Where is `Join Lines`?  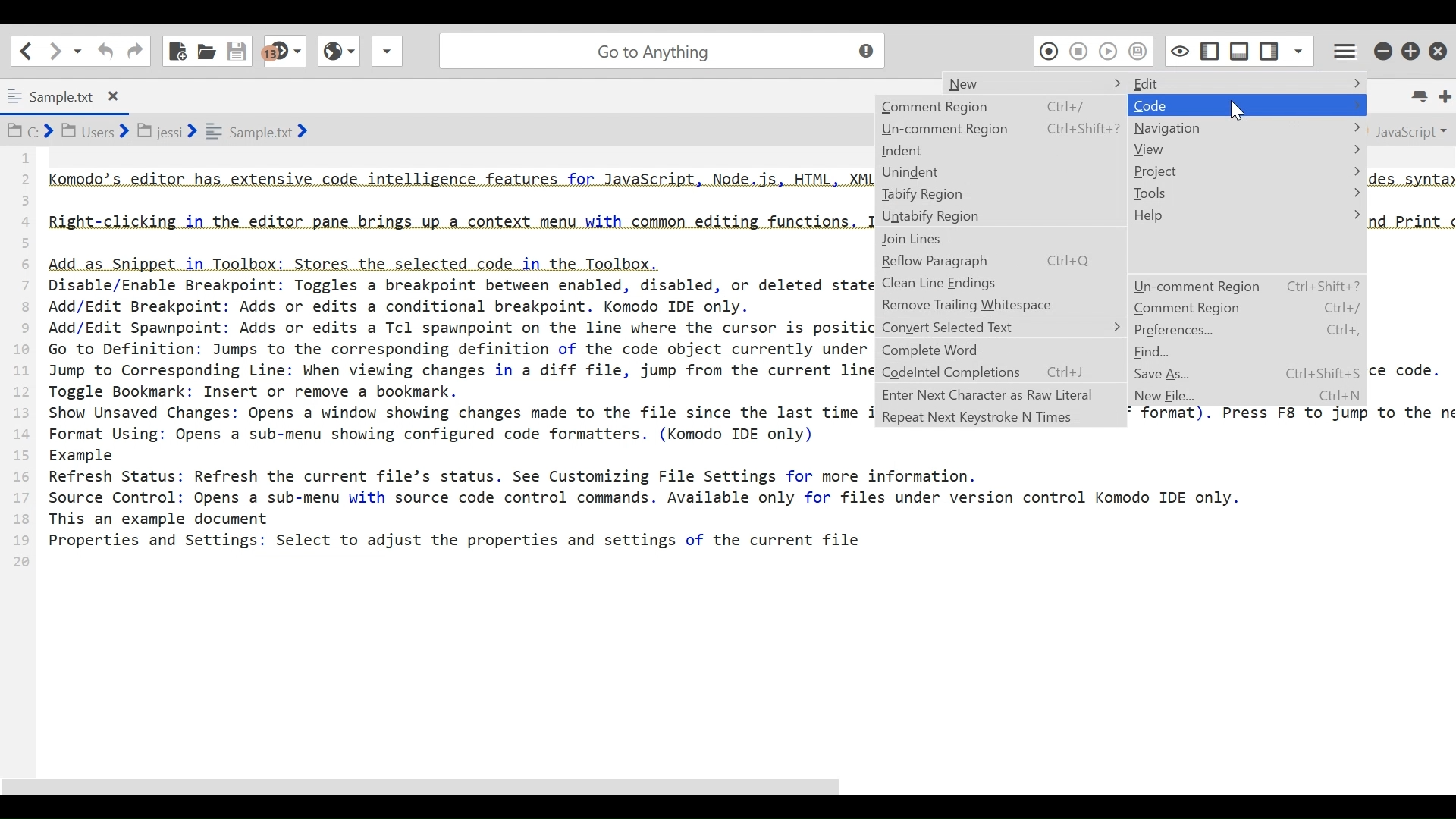
Join Lines is located at coordinates (998, 240).